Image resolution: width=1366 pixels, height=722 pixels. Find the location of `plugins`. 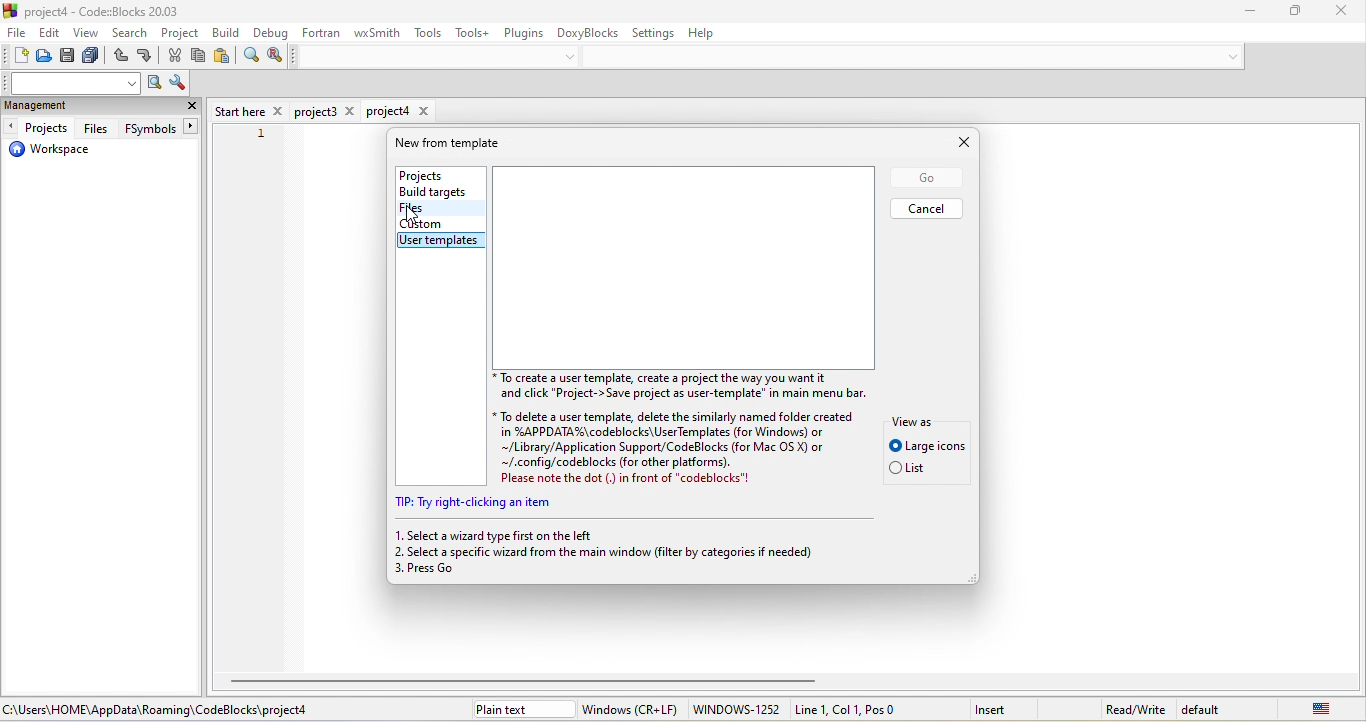

plugins is located at coordinates (522, 31).